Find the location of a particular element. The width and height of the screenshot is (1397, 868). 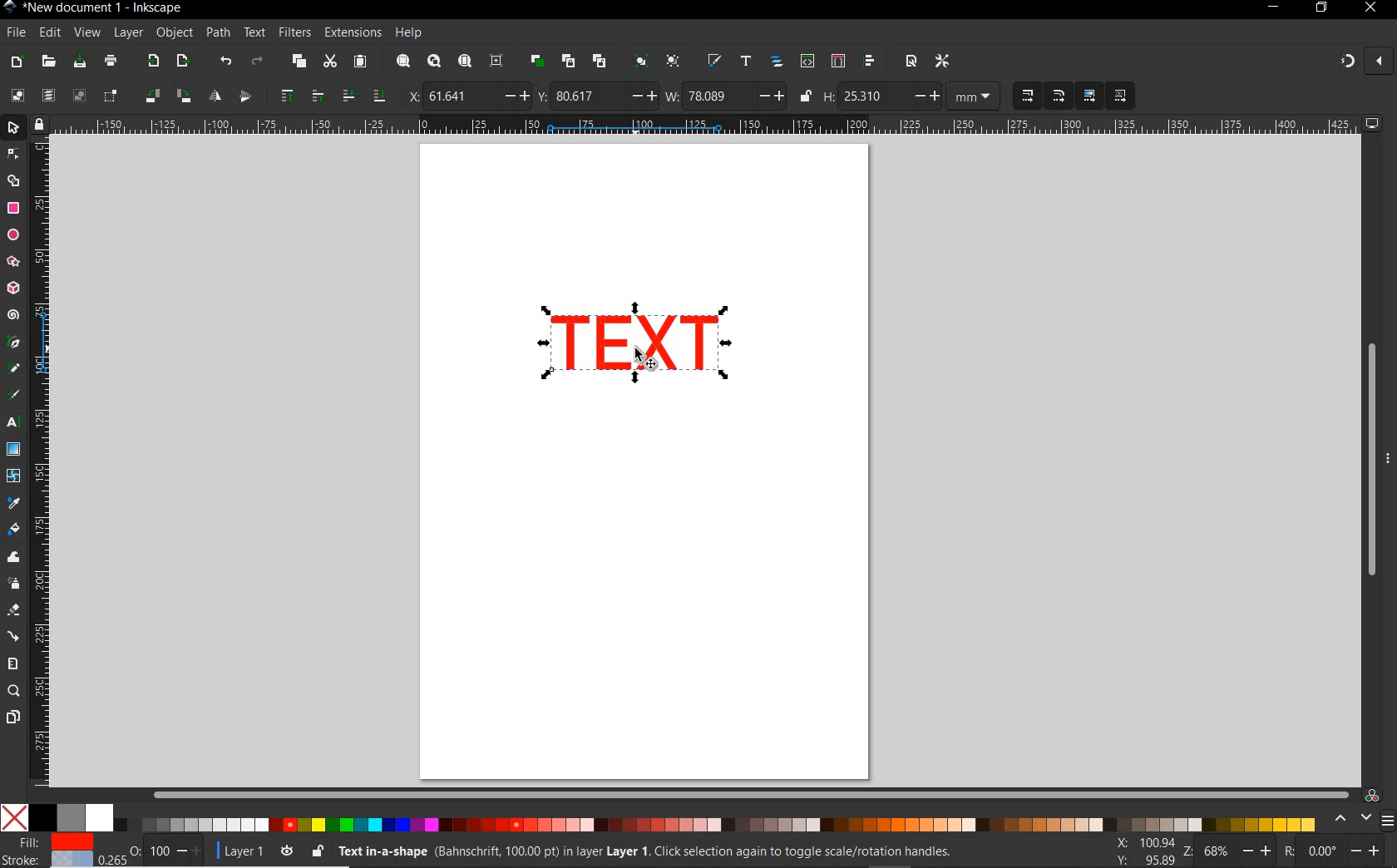

spray tool is located at coordinates (13, 583).